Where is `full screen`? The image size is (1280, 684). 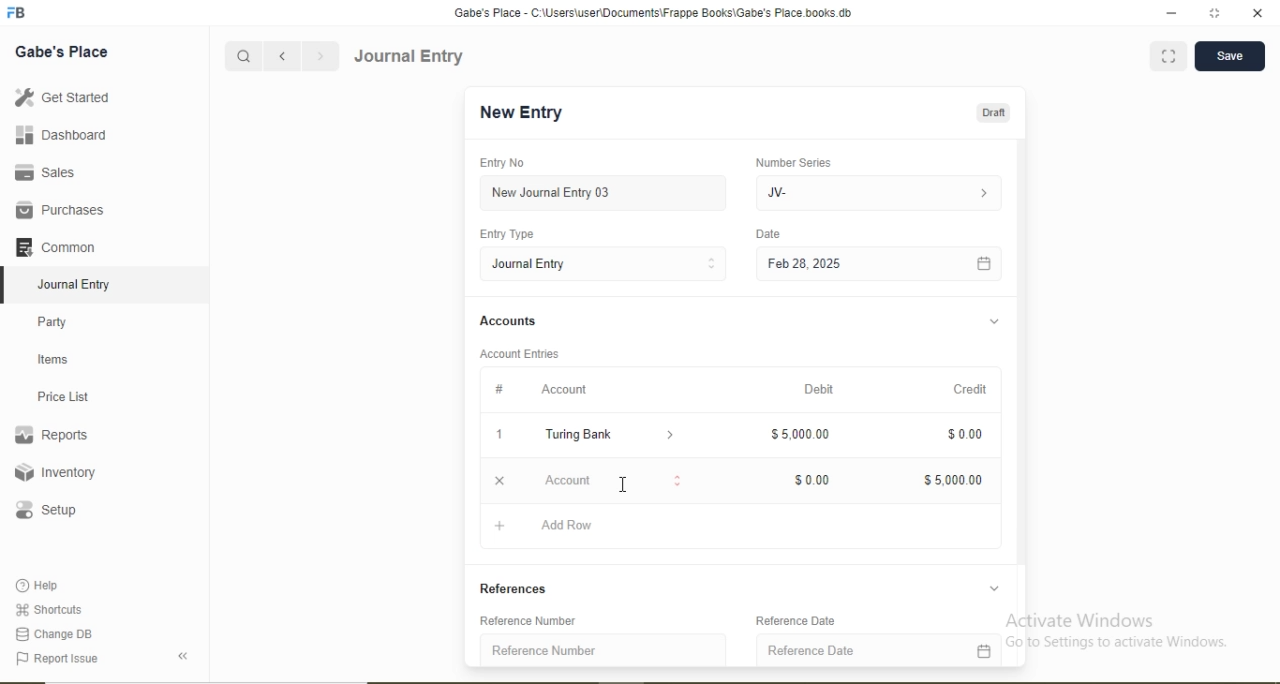 full screen is located at coordinates (1215, 13).